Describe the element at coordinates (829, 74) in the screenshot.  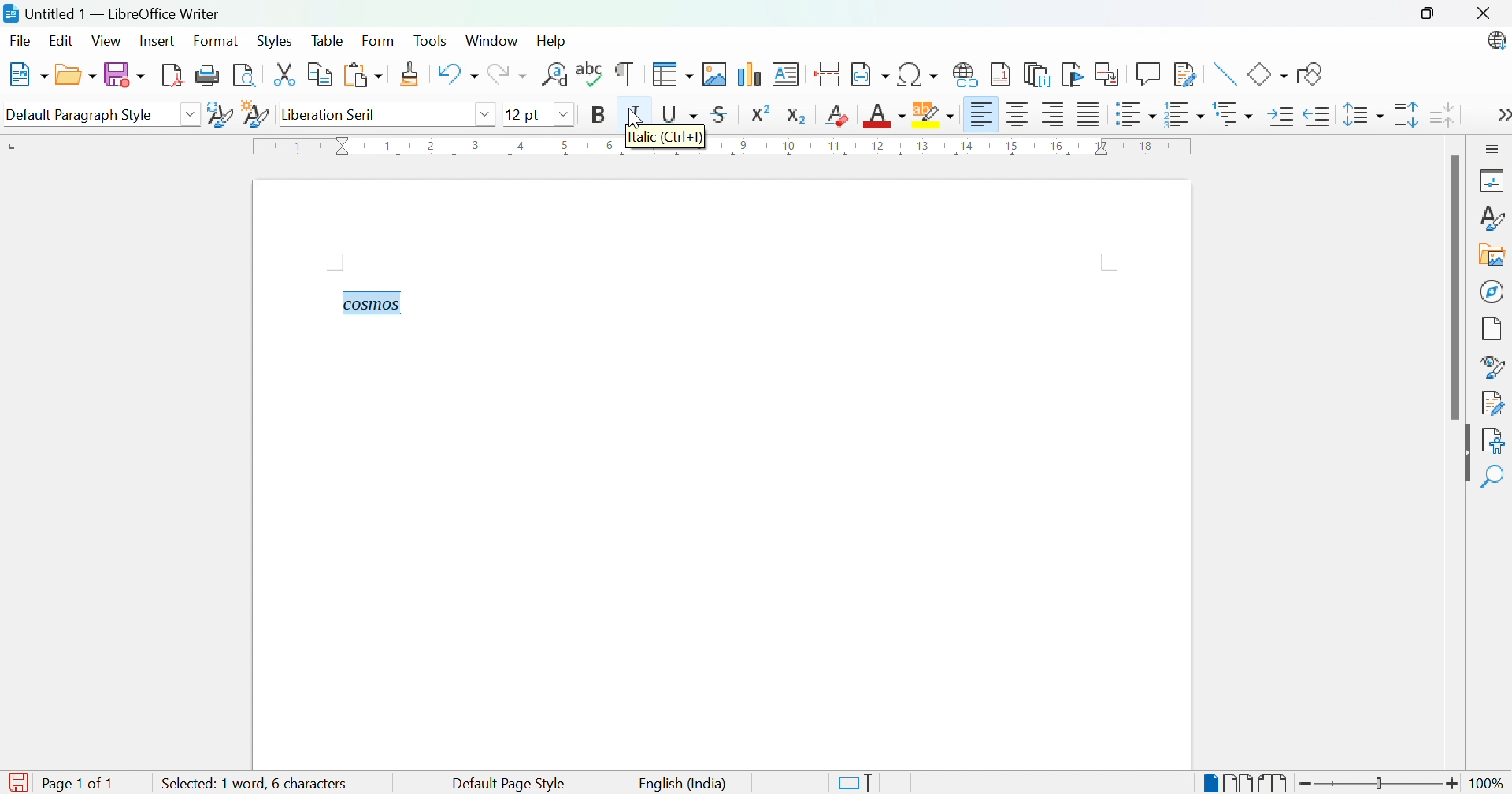
I see `Insert page break` at that location.